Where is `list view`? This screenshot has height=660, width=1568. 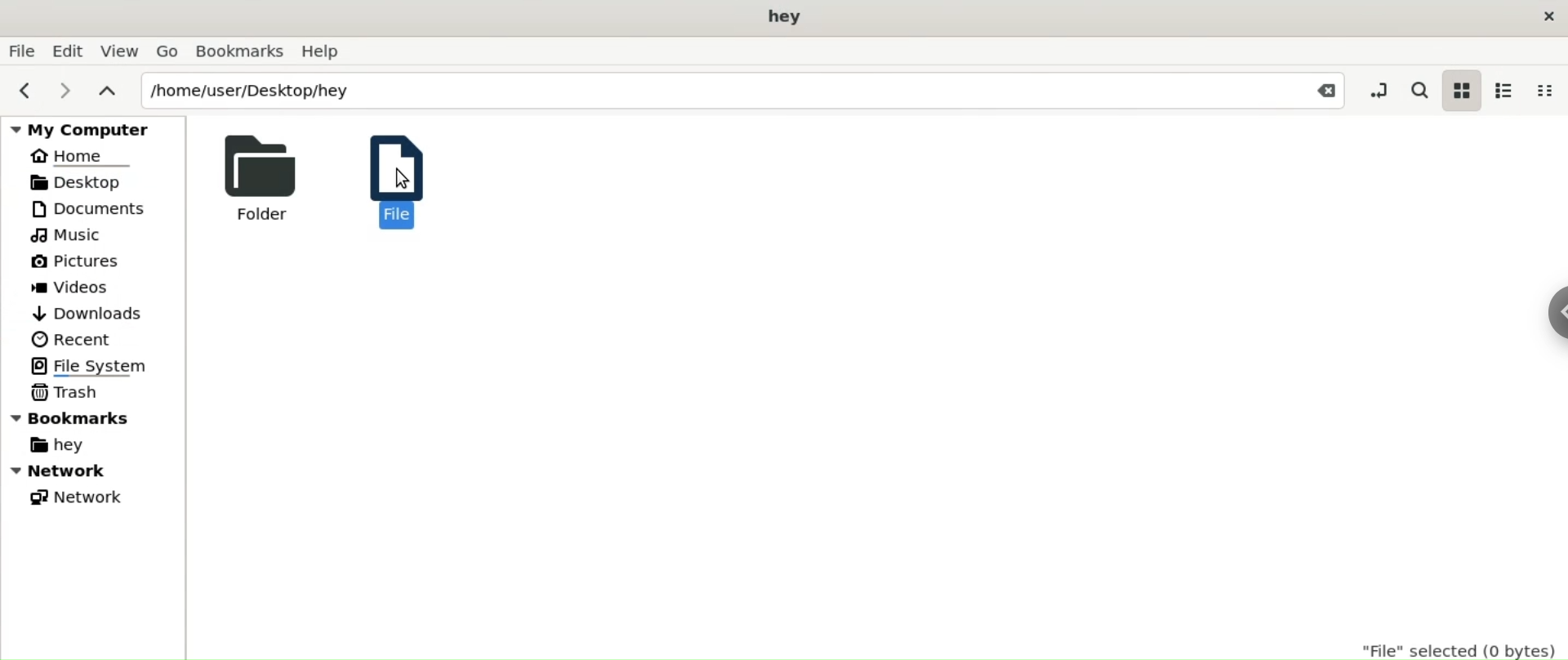
list view is located at coordinates (1507, 91).